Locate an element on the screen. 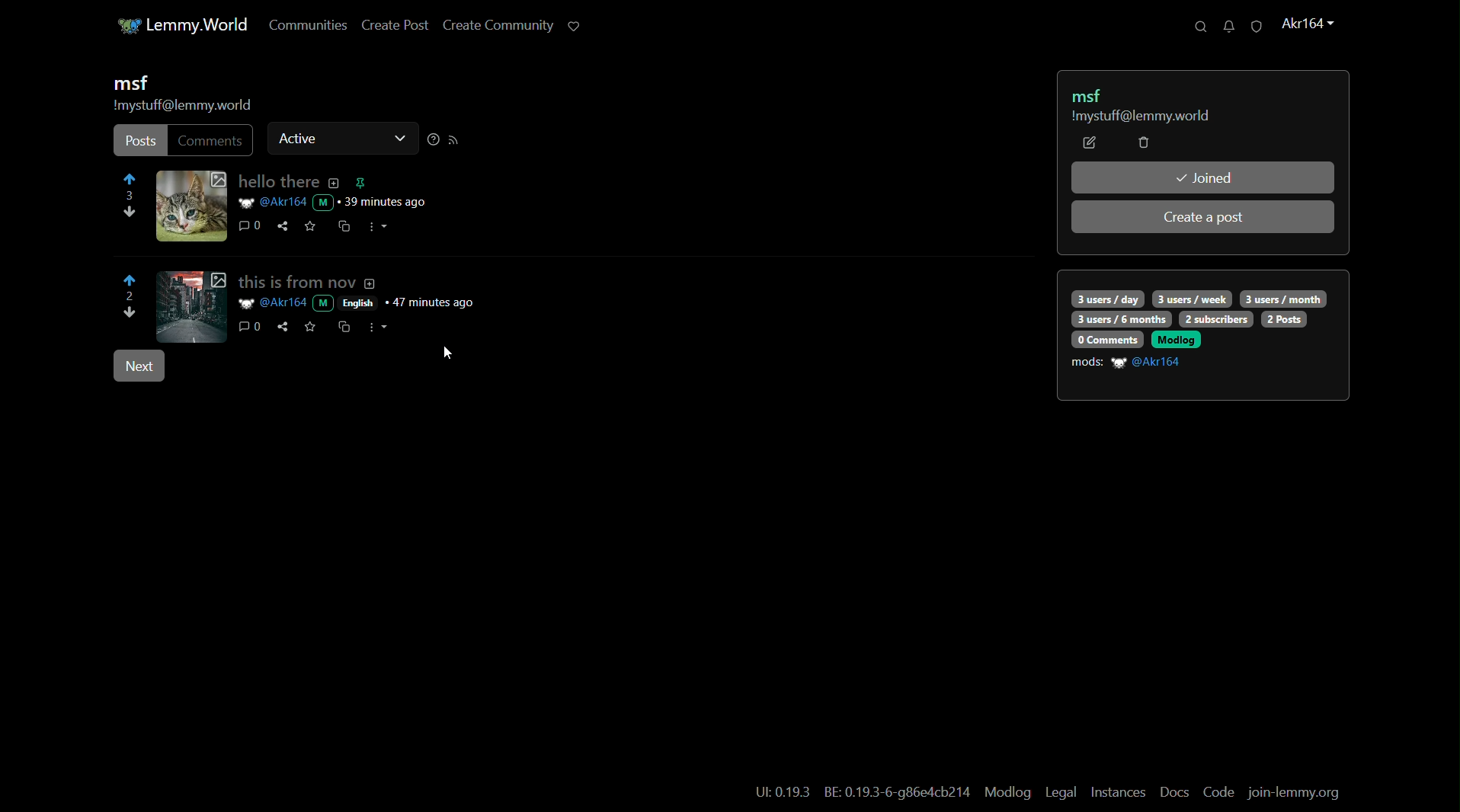 The width and height of the screenshot is (1460, 812). support lemmy.world is located at coordinates (572, 25).